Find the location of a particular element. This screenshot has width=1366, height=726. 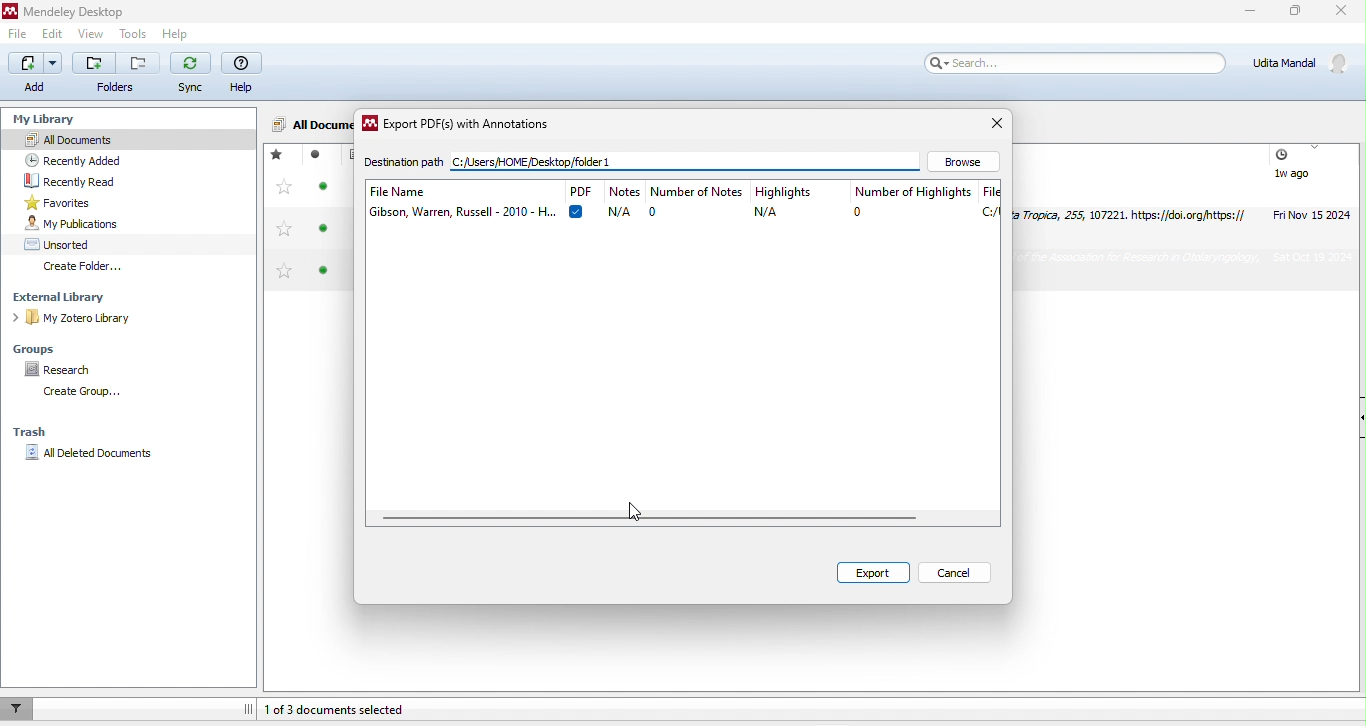

browse is located at coordinates (969, 160).